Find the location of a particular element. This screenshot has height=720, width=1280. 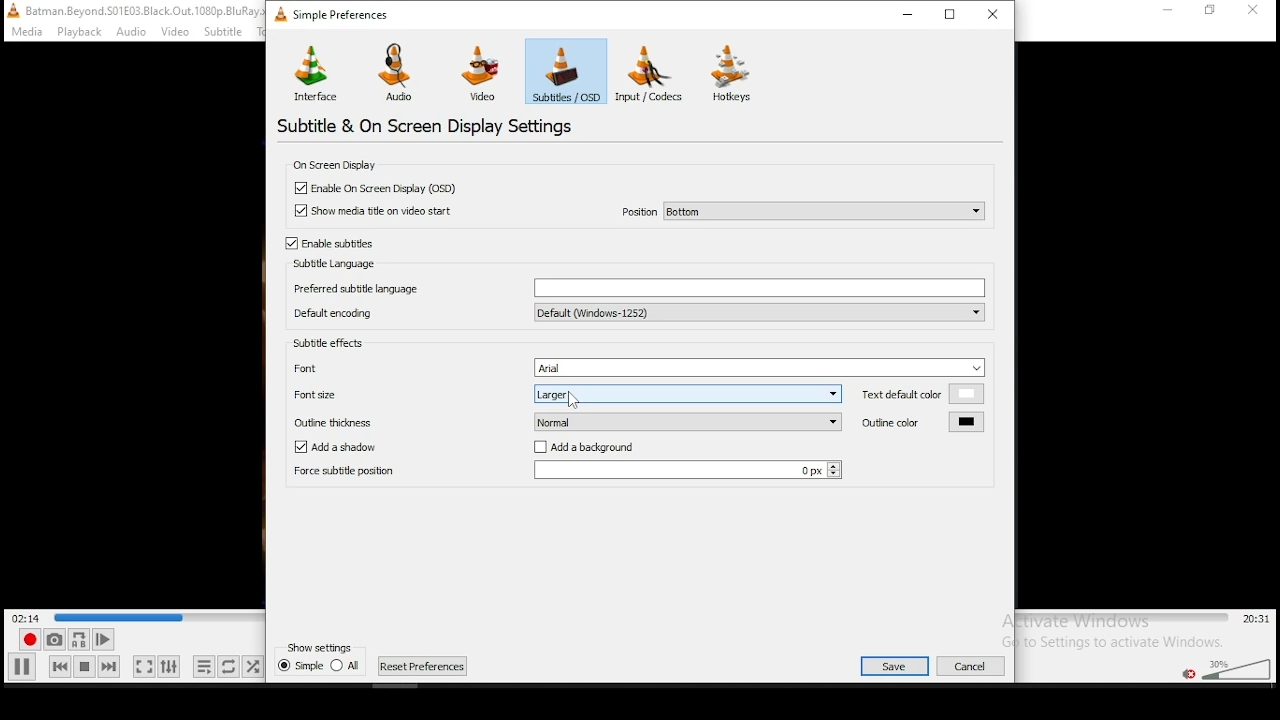

outline color is located at coordinates (921, 422).